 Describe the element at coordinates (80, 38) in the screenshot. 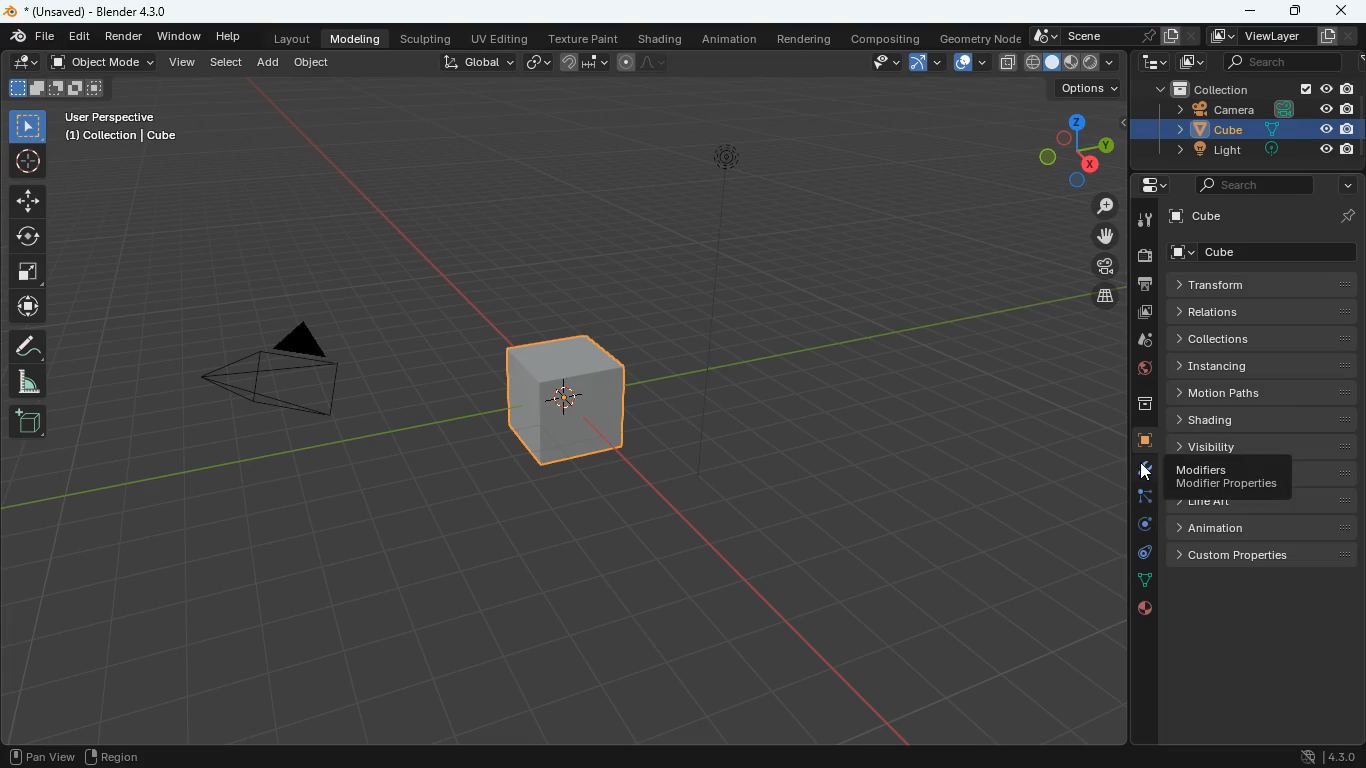

I see `edit` at that location.